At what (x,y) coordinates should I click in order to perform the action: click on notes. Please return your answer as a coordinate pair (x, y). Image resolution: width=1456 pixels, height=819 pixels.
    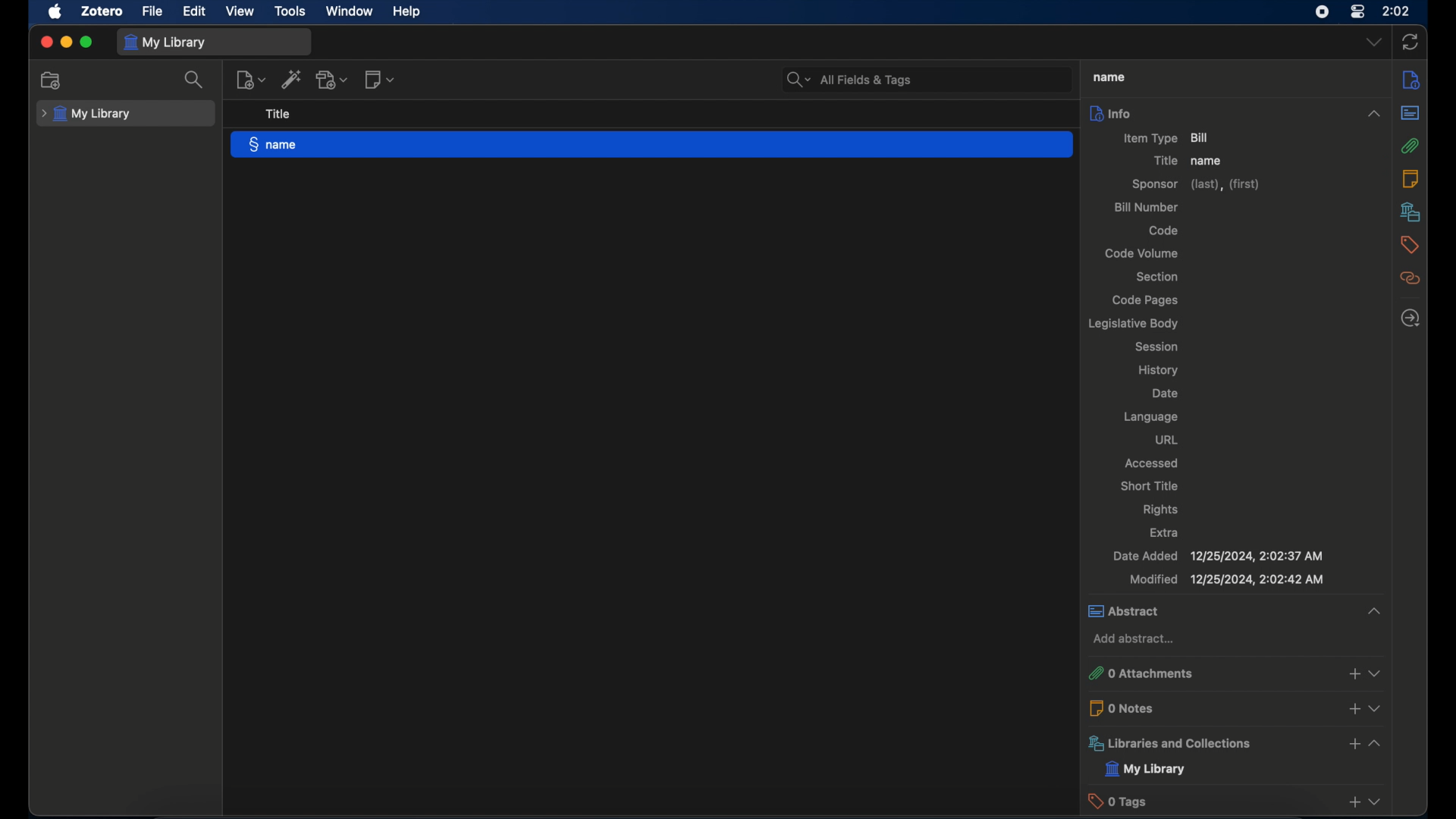
    Looking at the image, I should click on (1410, 180).